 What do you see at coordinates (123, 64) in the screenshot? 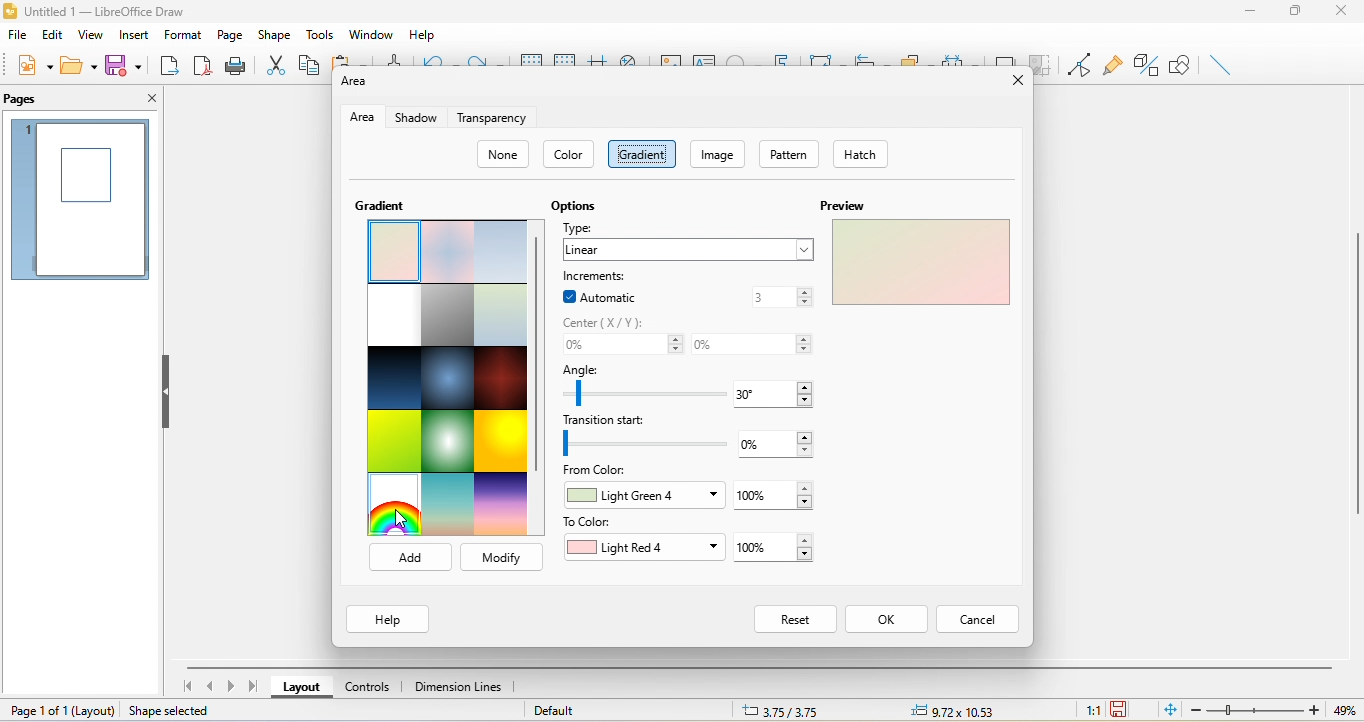
I see `save` at bounding box center [123, 64].